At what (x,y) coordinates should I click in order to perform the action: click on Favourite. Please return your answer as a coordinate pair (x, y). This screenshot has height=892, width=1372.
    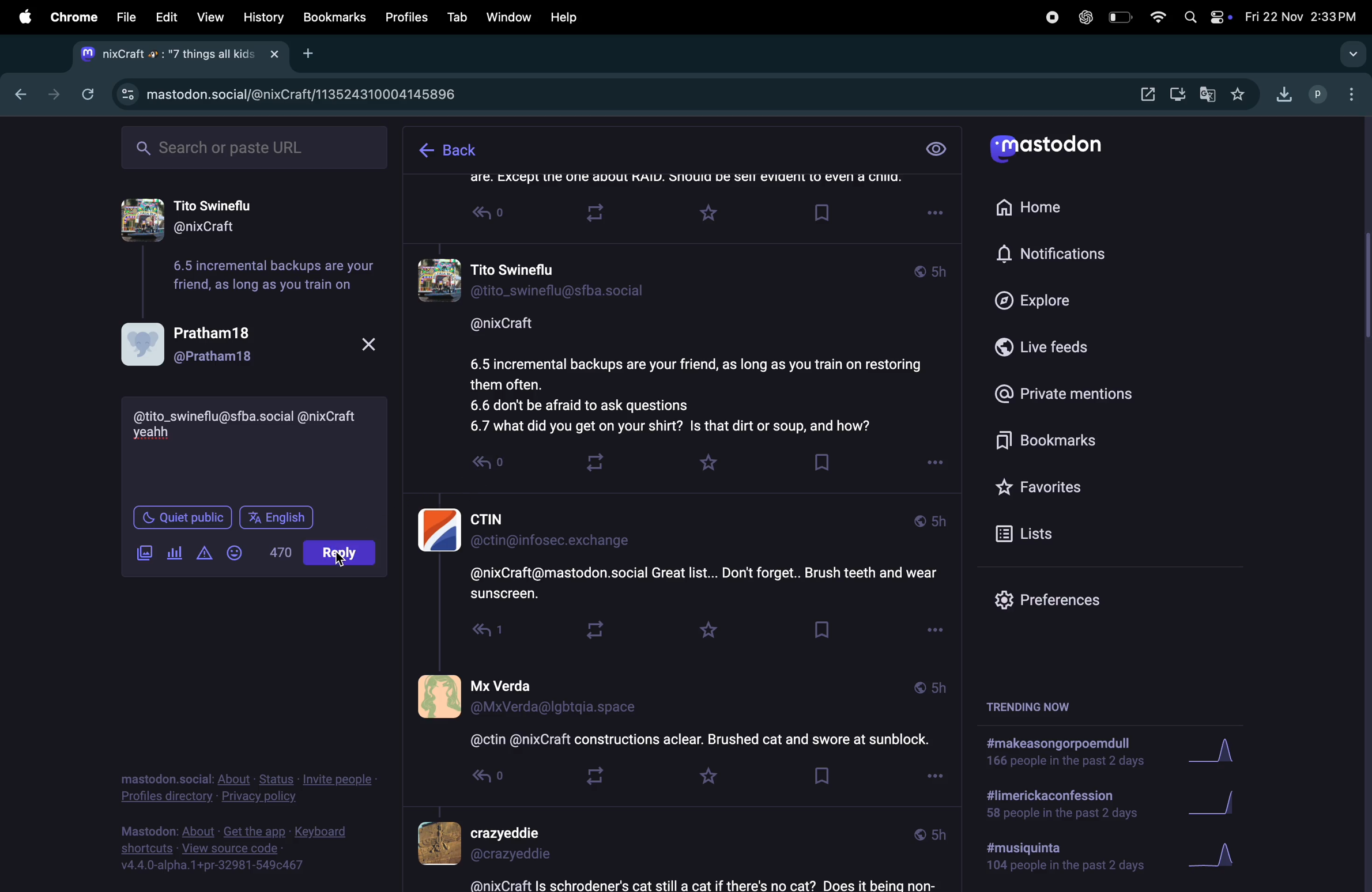
    Looking at the image, I should click on (707, 780).